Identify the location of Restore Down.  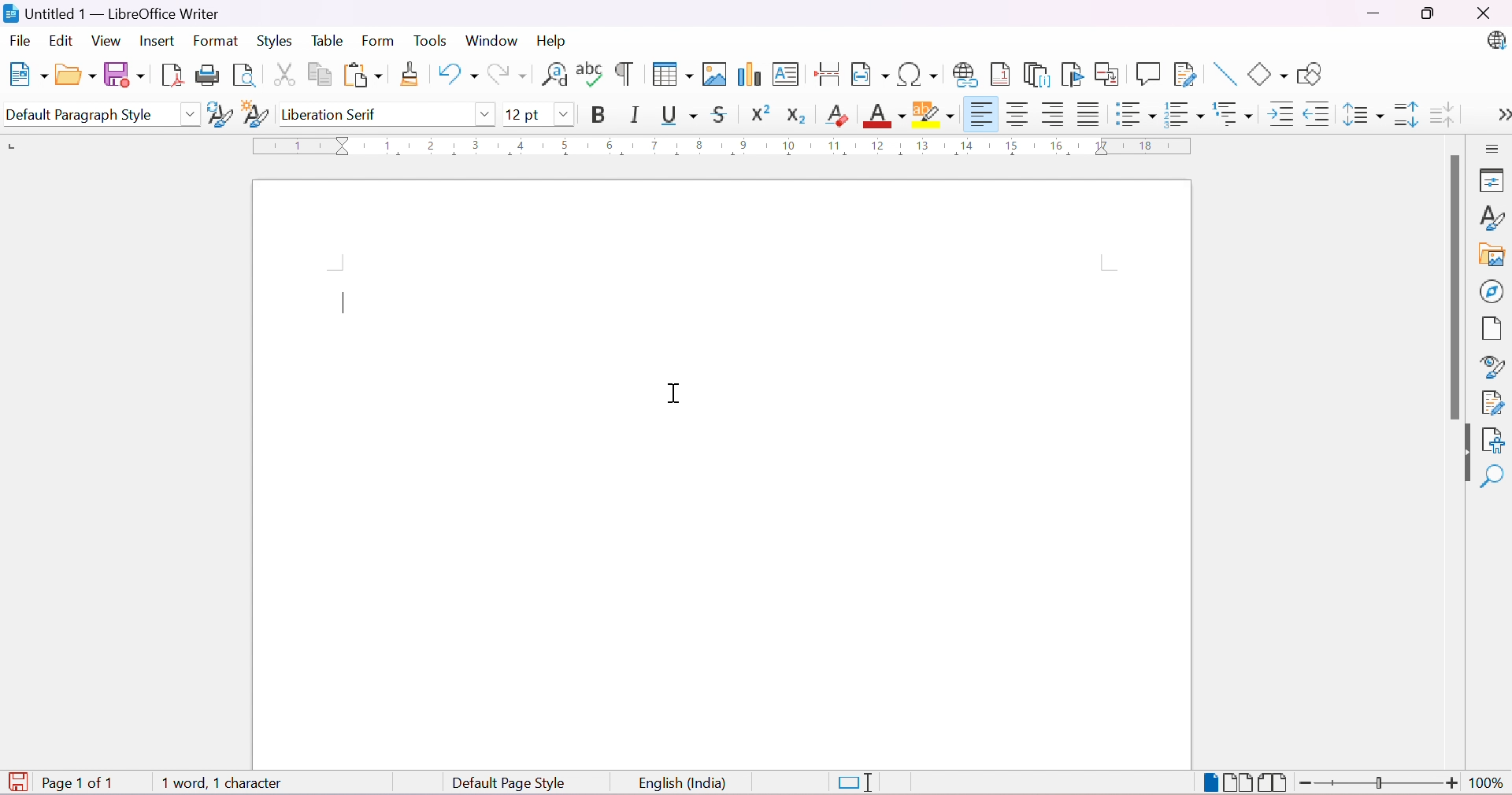
(1428, 13).